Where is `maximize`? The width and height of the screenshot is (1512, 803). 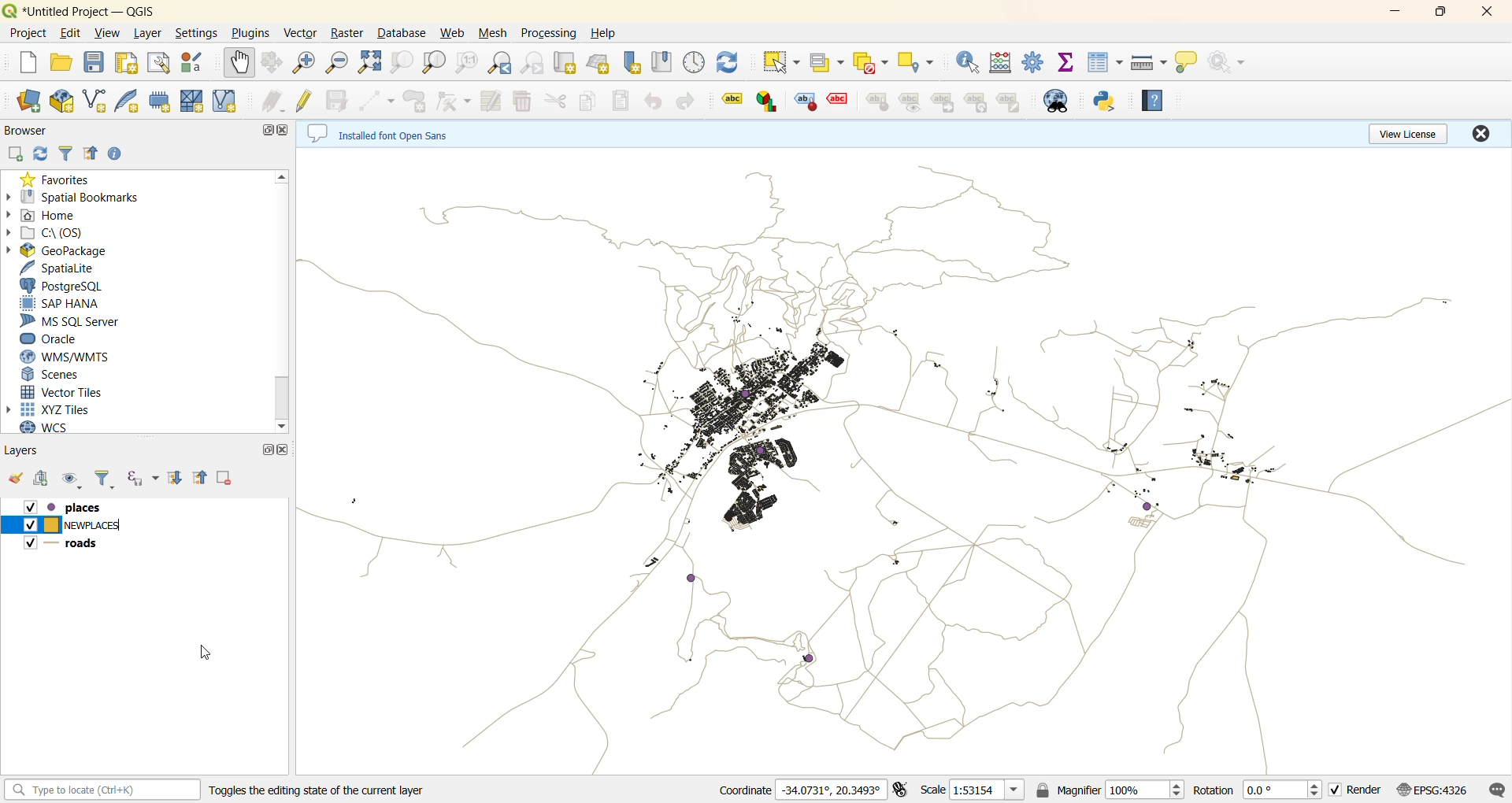 maximize is located at coordinates (1440, 13).